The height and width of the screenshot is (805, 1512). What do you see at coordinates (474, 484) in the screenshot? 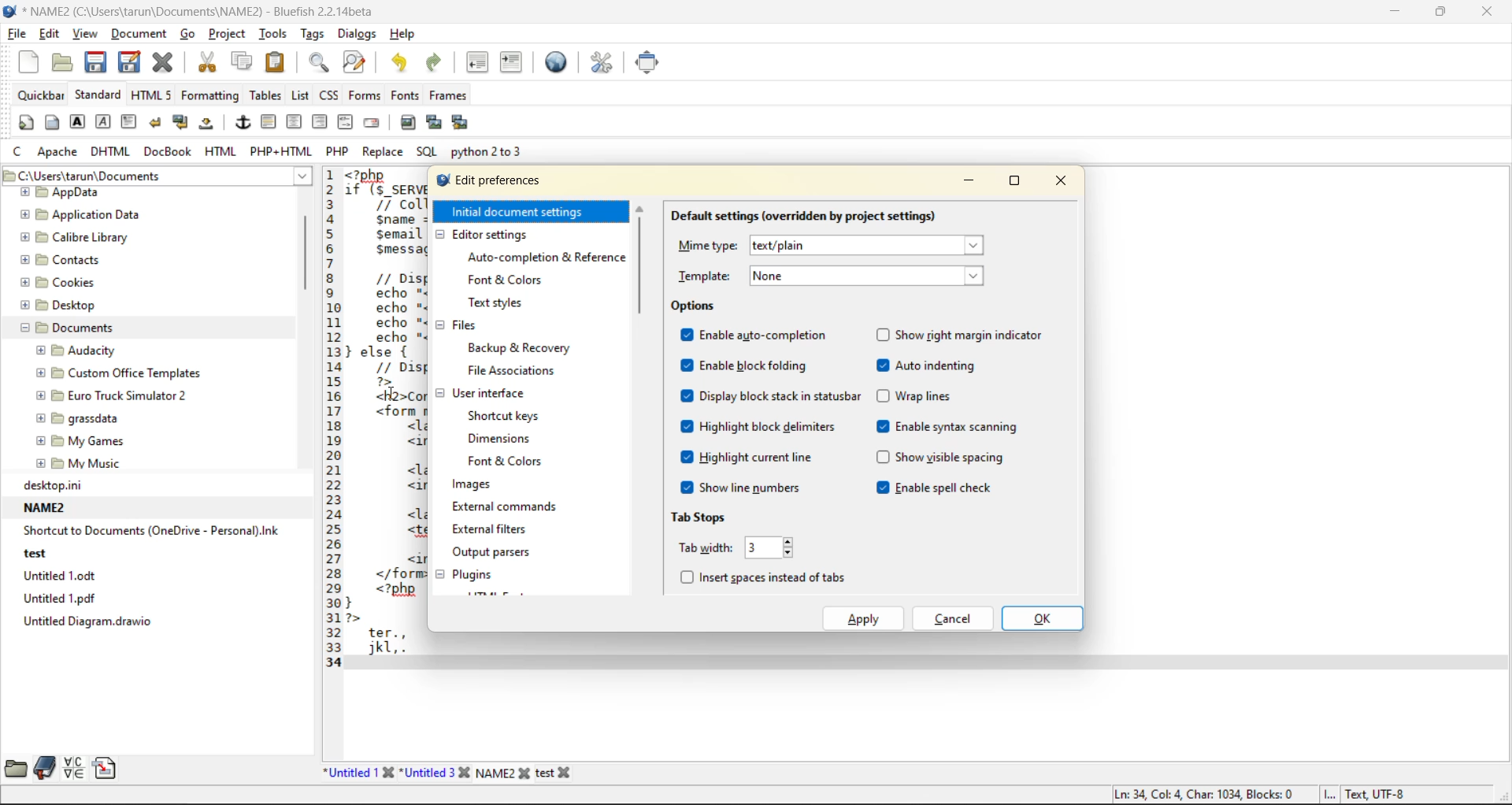
I see `images` at bounding box center [474, 484].